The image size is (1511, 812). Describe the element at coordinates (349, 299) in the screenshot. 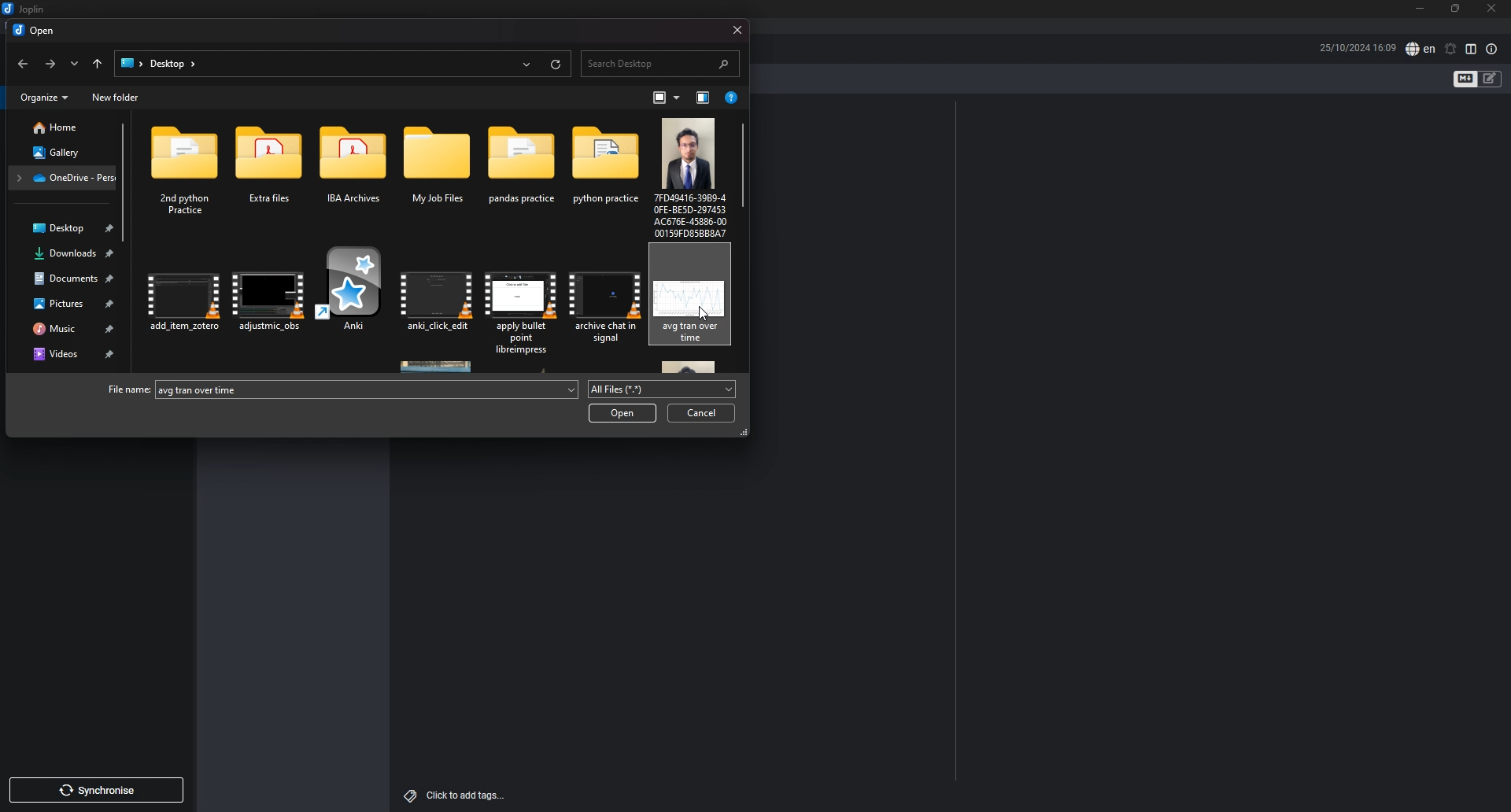

I see `Anki` at that location.